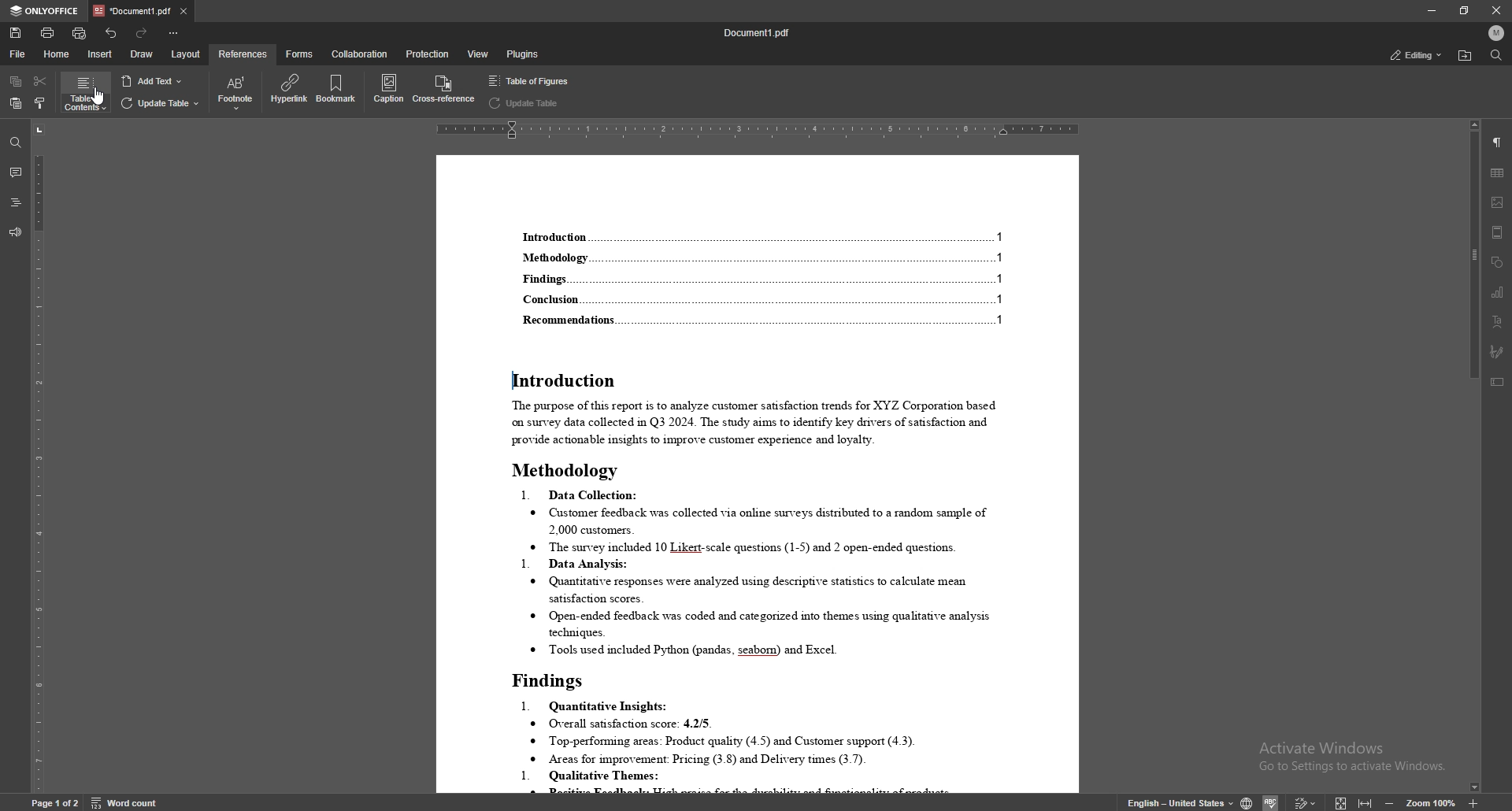 The width and height of the screenshot is (1512, 811). What do you see at coordinates (130, 10) in the screenshot?
I see `tab` at bounding box center [130, 10].